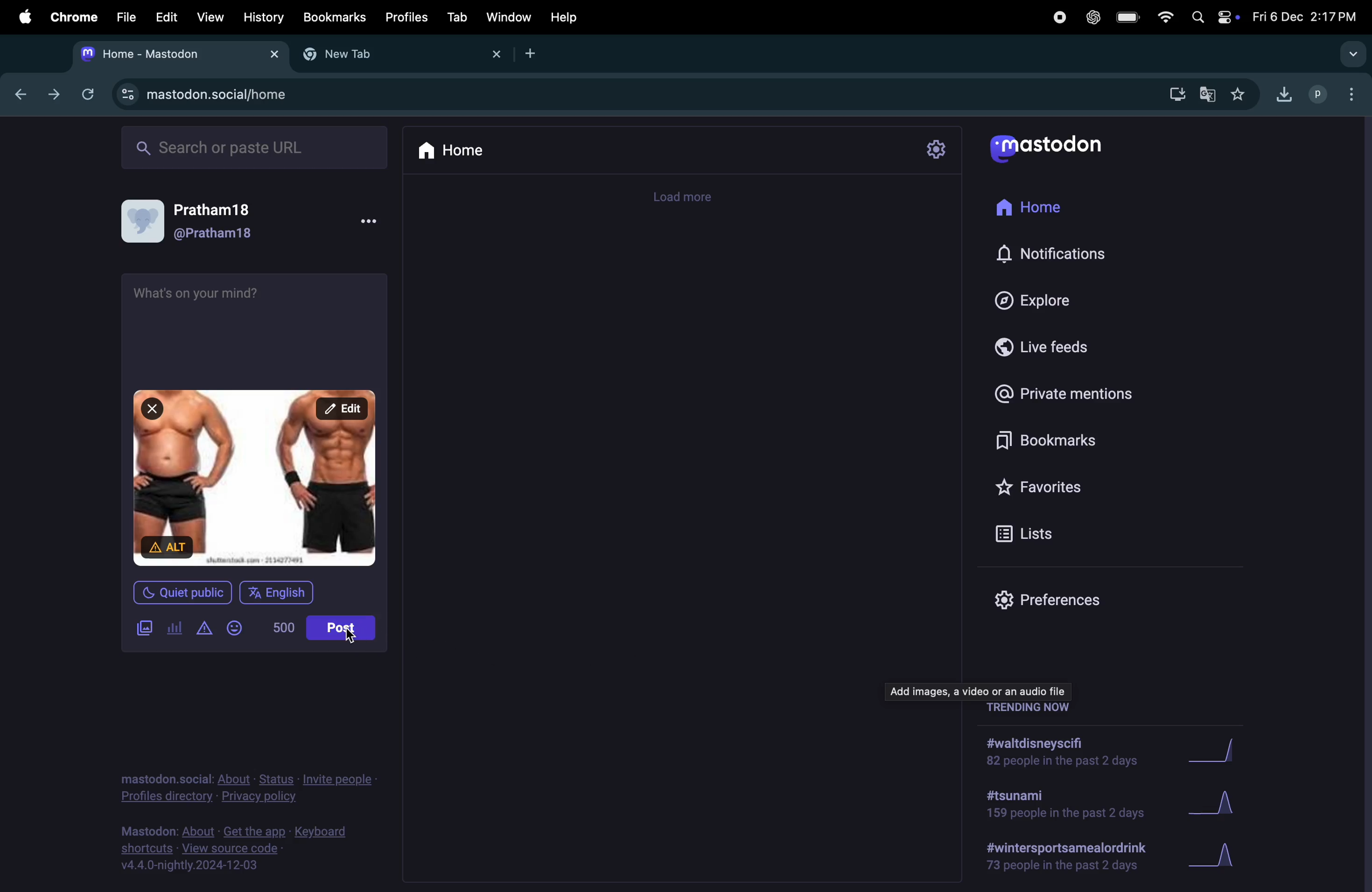 This screenshot has width=1372, height=892. I want to click on add image, so click(145, 629).